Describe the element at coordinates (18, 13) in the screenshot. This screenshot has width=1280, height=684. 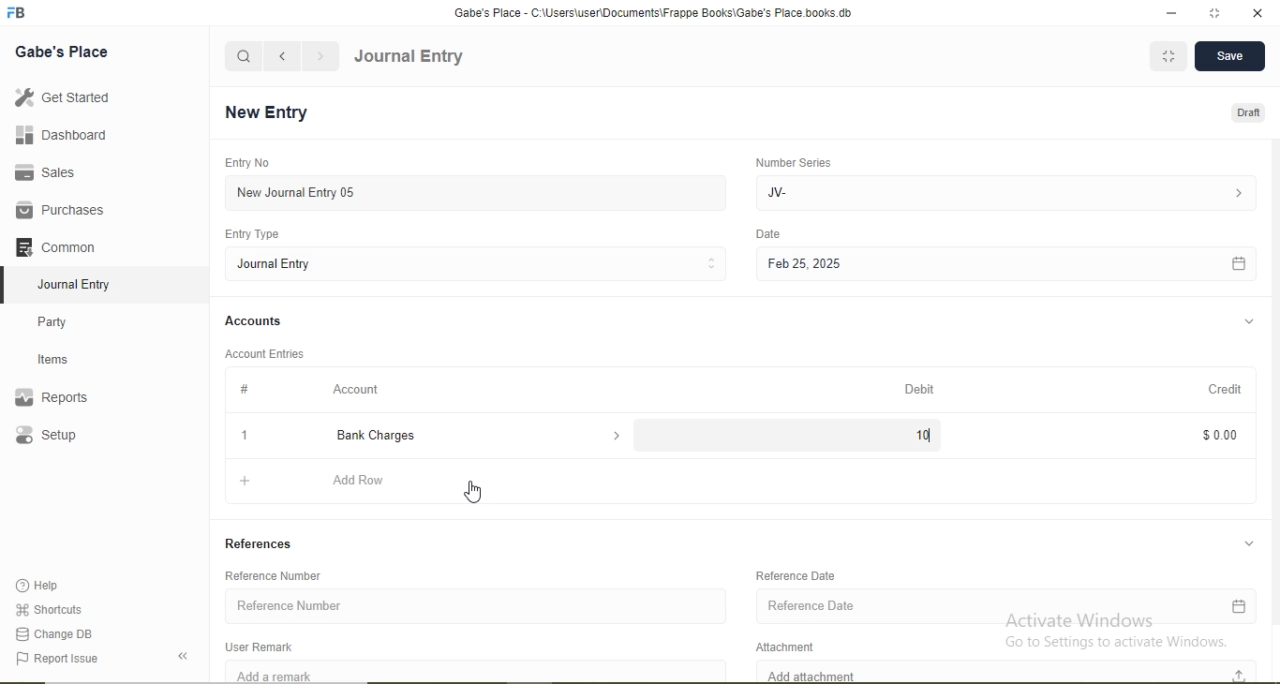
I see `logo` at that location.